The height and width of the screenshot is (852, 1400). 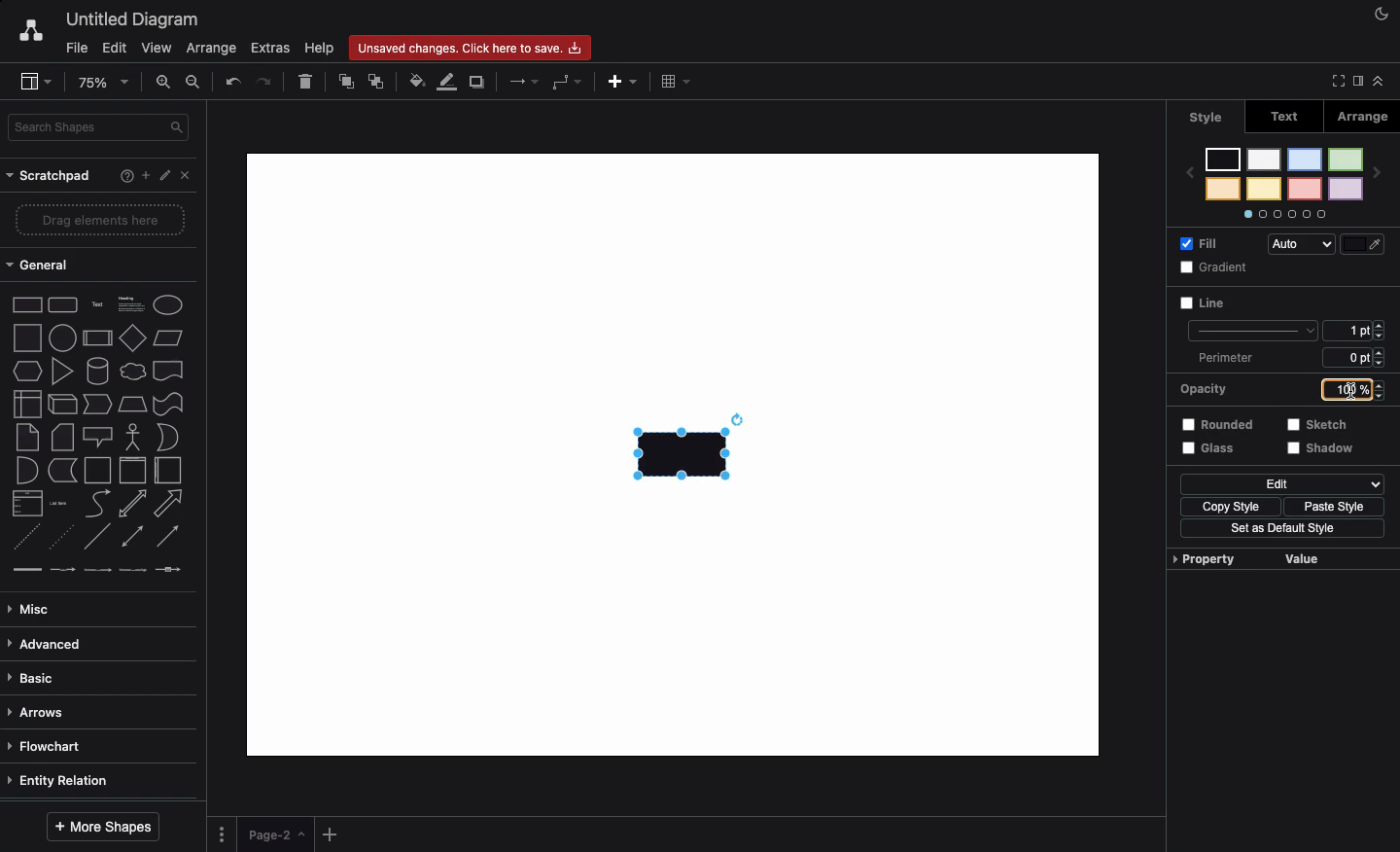 What do you see at coordinates (32, 34) in the screenshot?
I see `Draw.io` at bounding box center [32, 34].